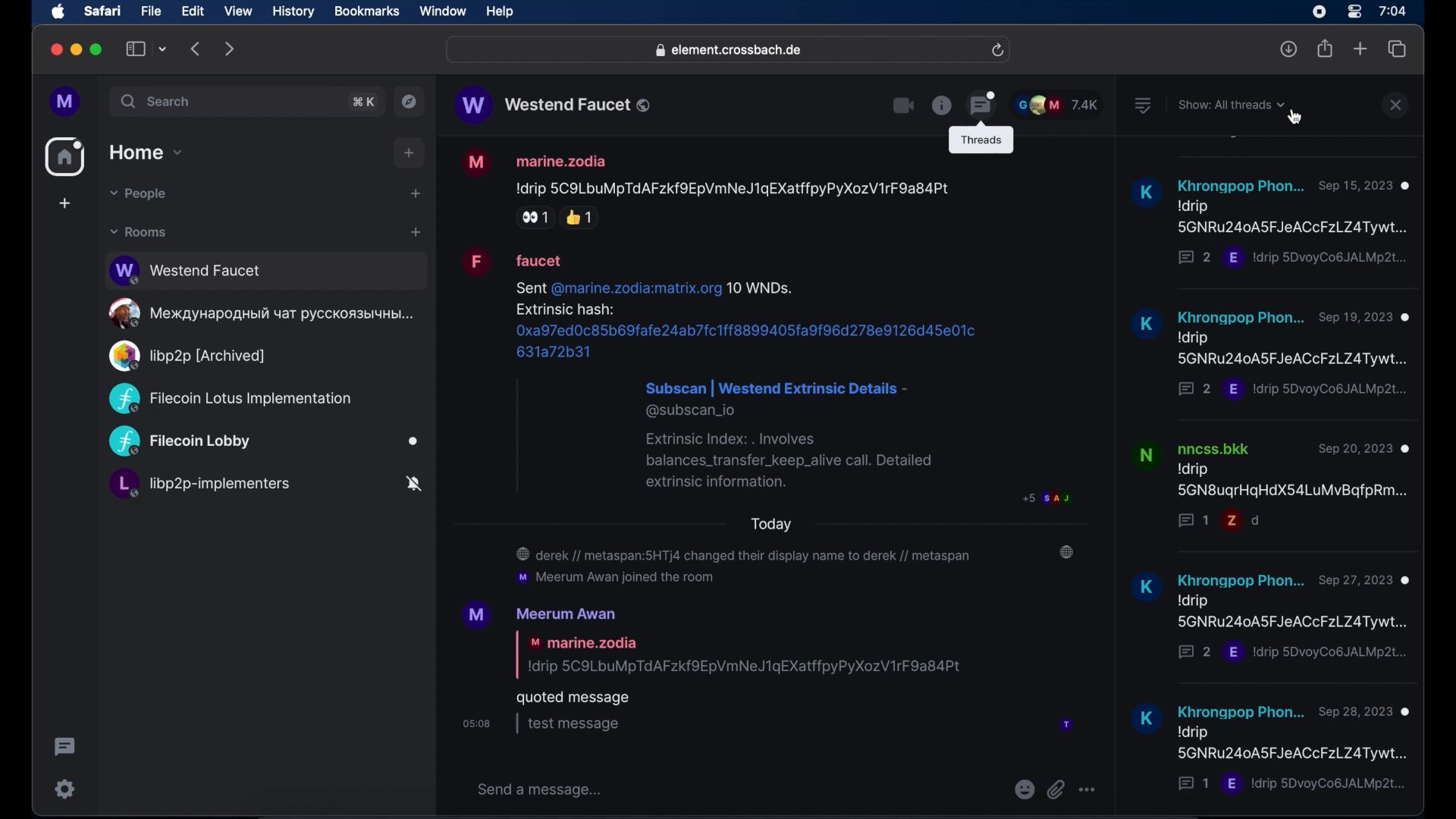 The image size is (1456, 819). Describe the element at coordinates (477, 162) in the screenshot. I see `M` at that location.